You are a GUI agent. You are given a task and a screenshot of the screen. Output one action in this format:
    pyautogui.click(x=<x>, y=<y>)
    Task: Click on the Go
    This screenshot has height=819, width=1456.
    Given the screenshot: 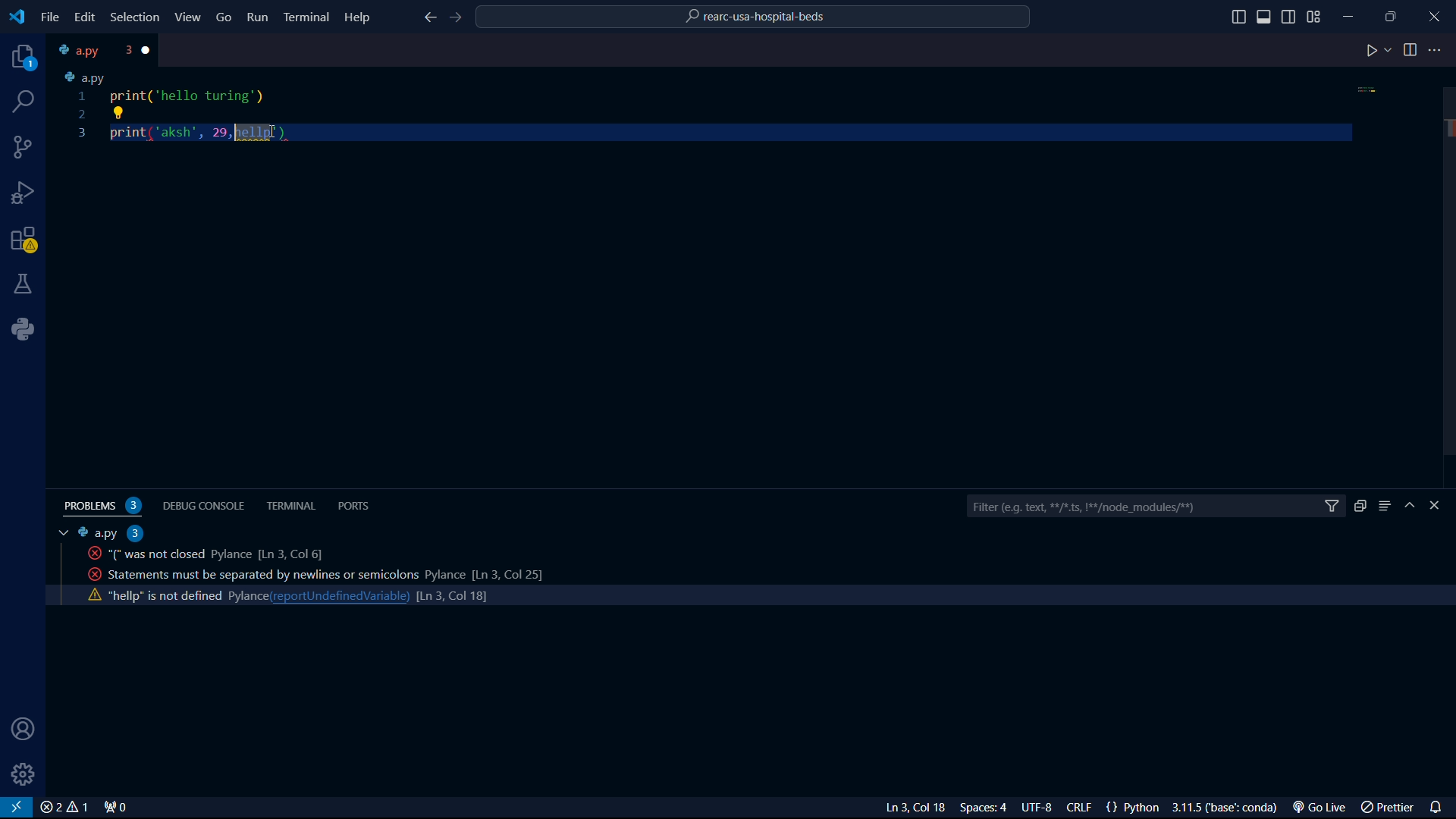 What is the action you would take?
    pyautogui.click(x=224, y=16)
    